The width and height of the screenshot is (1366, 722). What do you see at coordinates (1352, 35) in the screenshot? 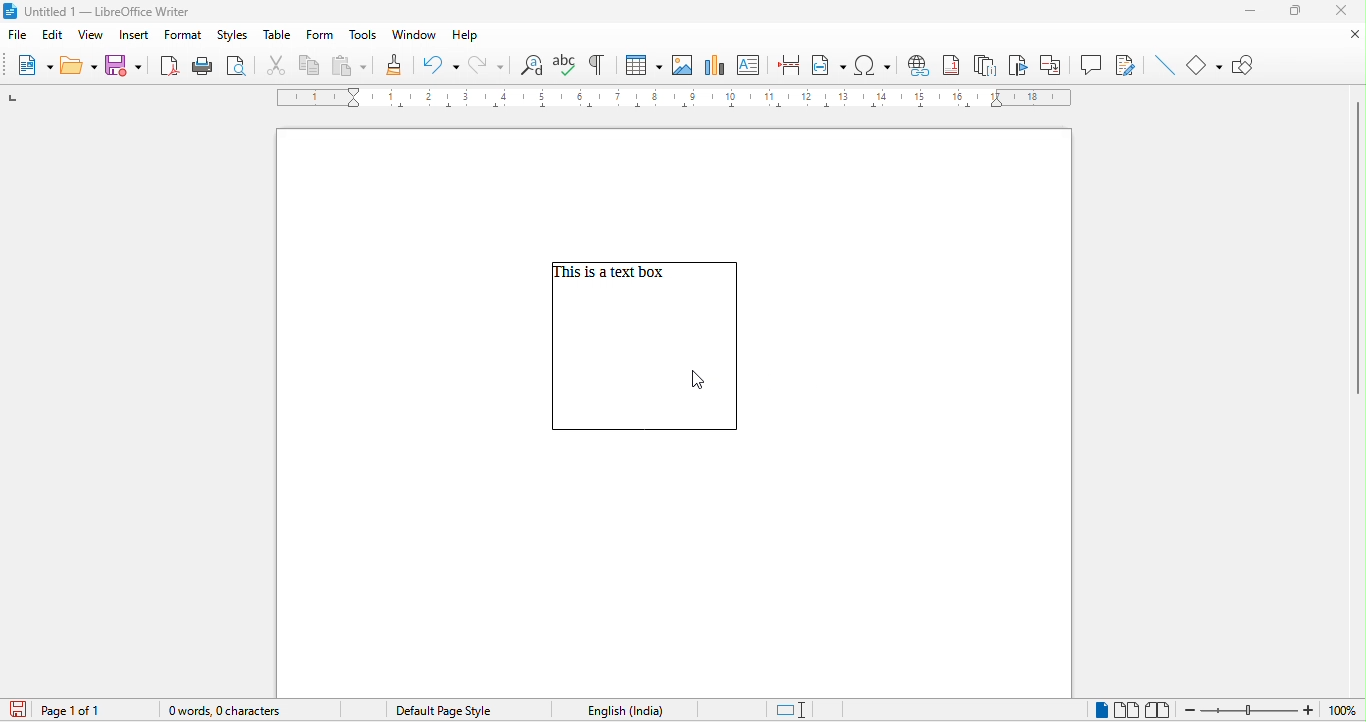
I see `close` at bounding box center [1352, 35].